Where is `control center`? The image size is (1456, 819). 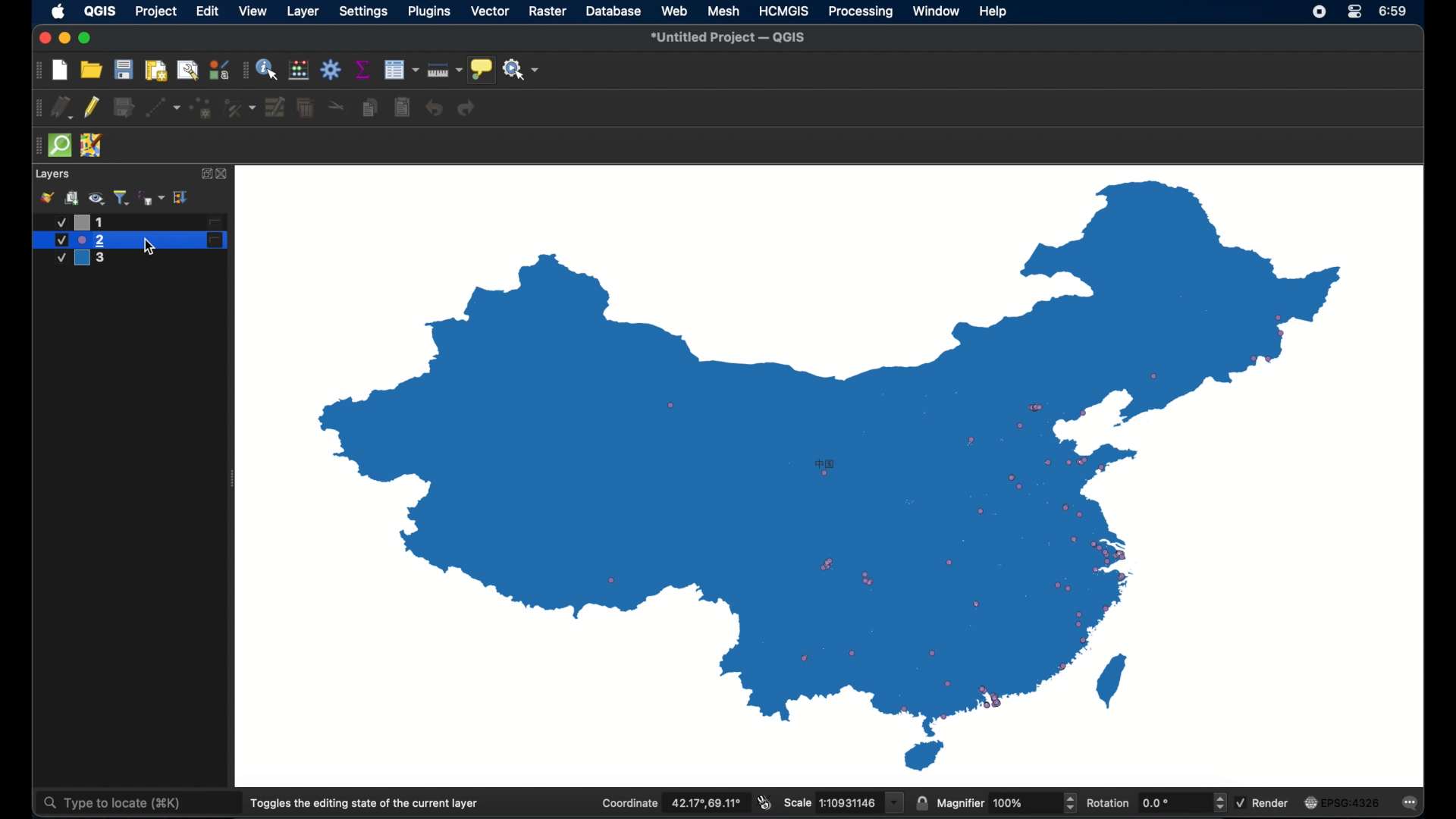
control center is located at coordinates (1356, 11).